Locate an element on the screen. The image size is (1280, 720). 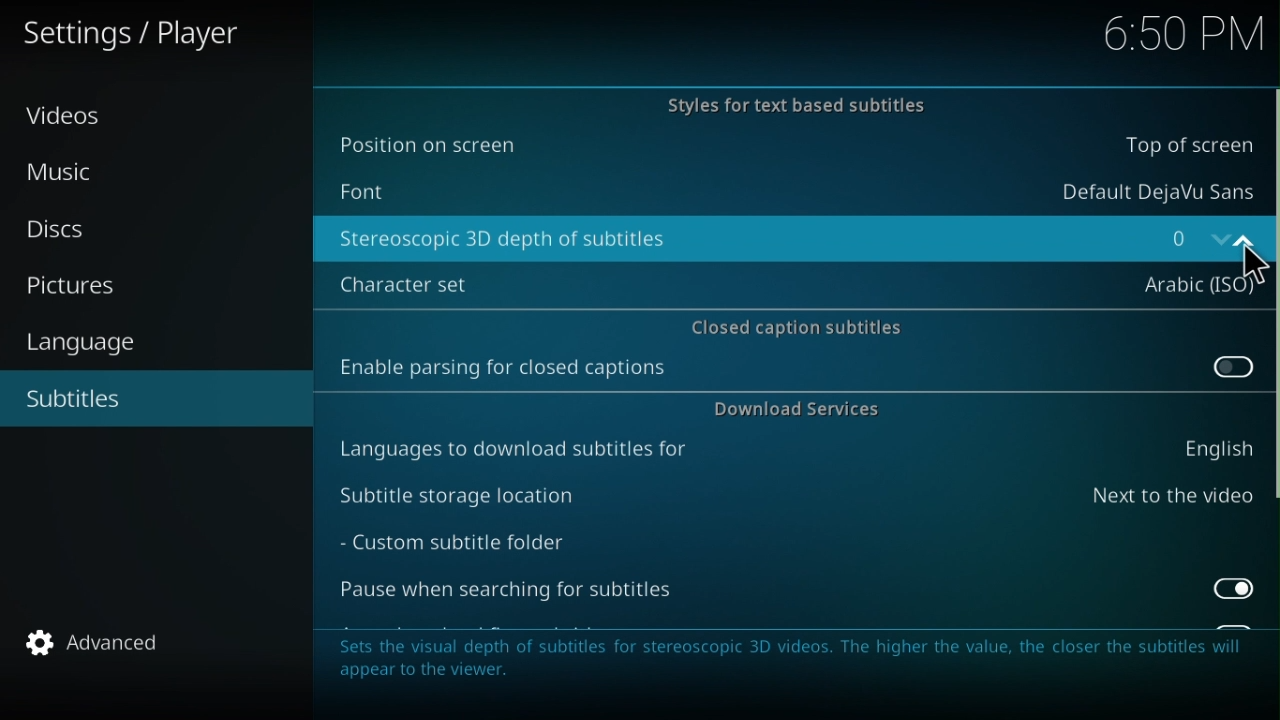
Custom subtitle folder is located at coordinates (479, 545).